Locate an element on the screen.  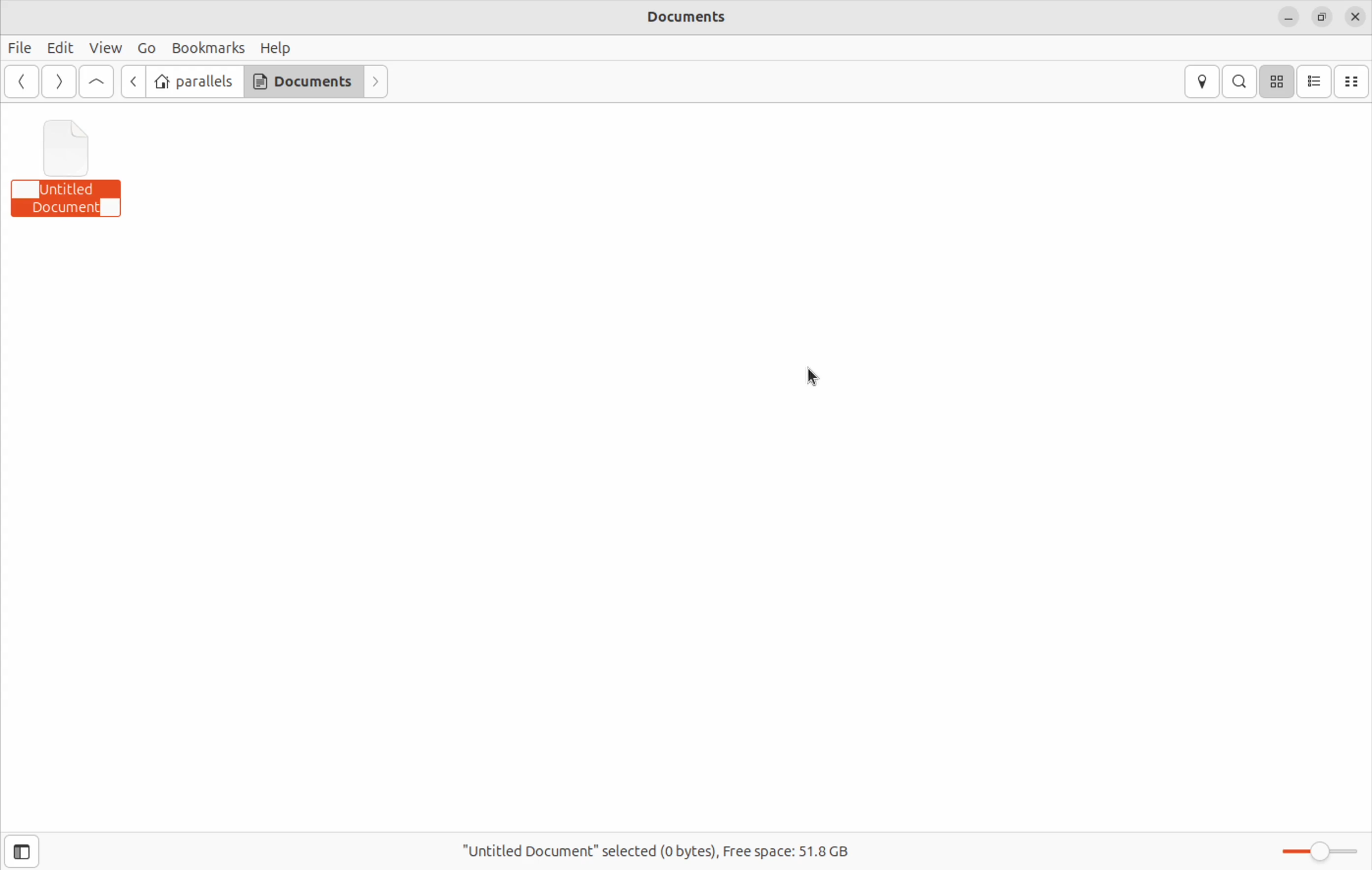
go to first file is located at coordinates (96, 82).